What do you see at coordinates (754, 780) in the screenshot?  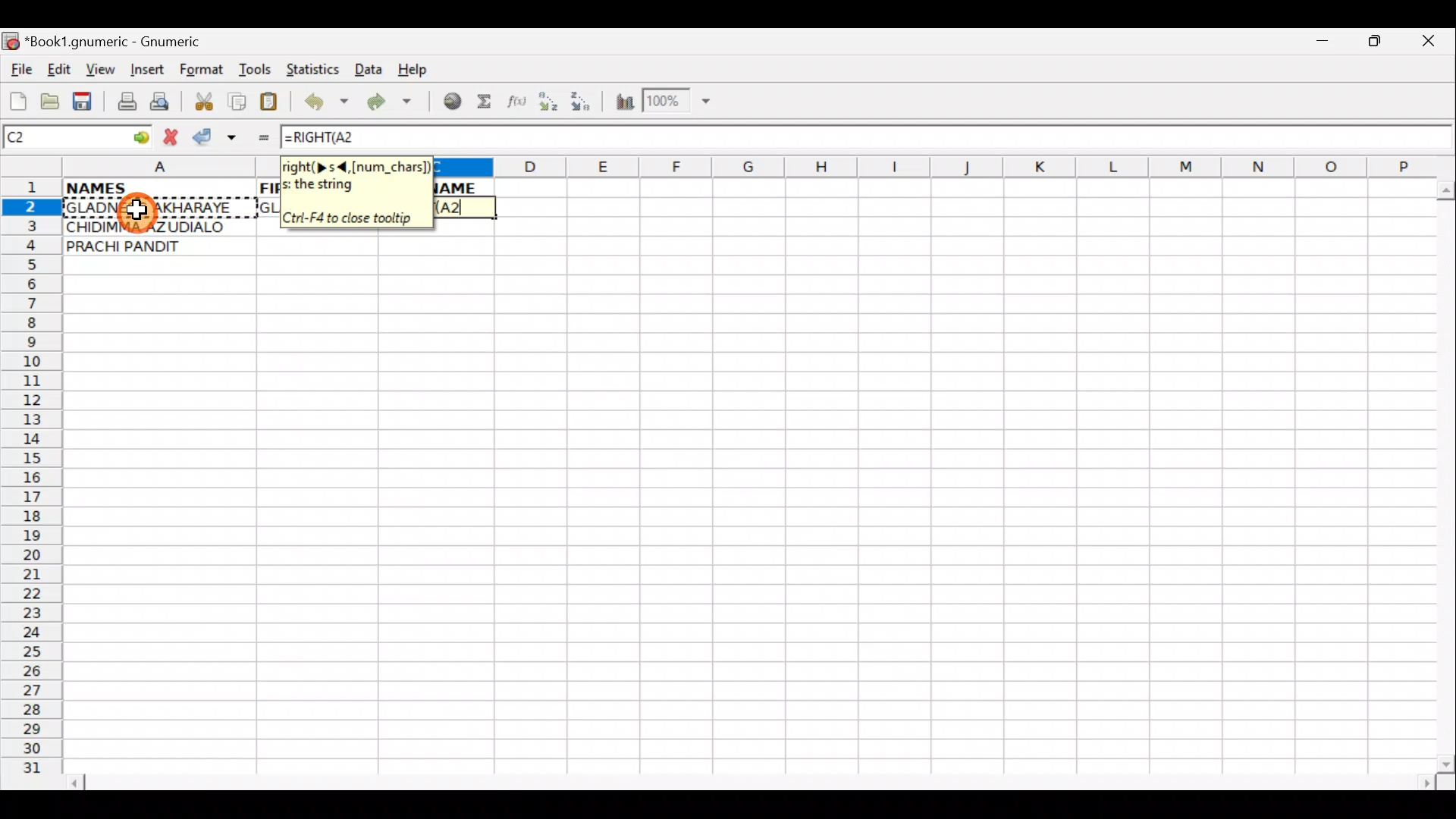 I see `Scroll bar` at bounding box center [754, 780].